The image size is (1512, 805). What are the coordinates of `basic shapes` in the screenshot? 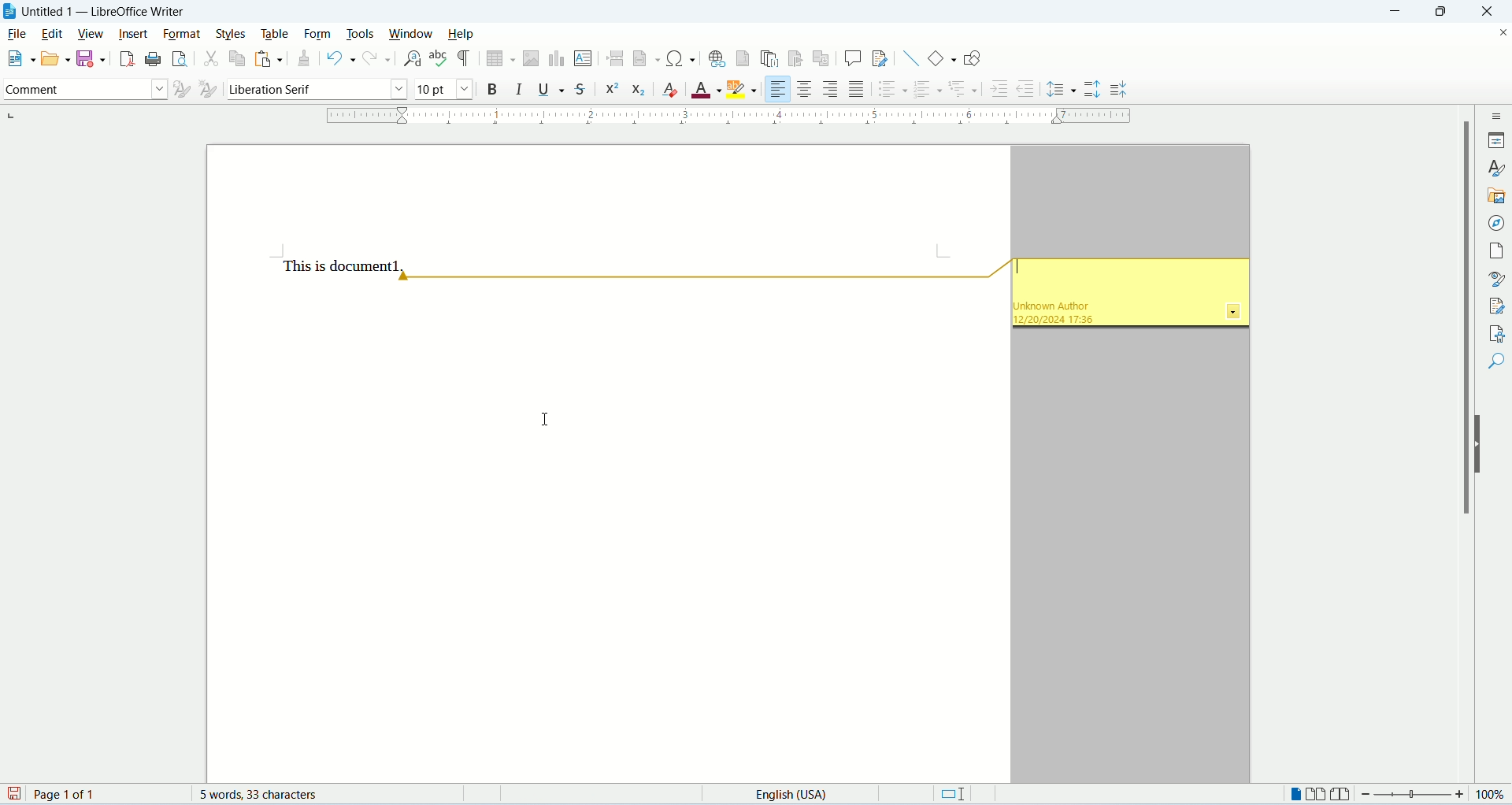 It's located at (943, 57).